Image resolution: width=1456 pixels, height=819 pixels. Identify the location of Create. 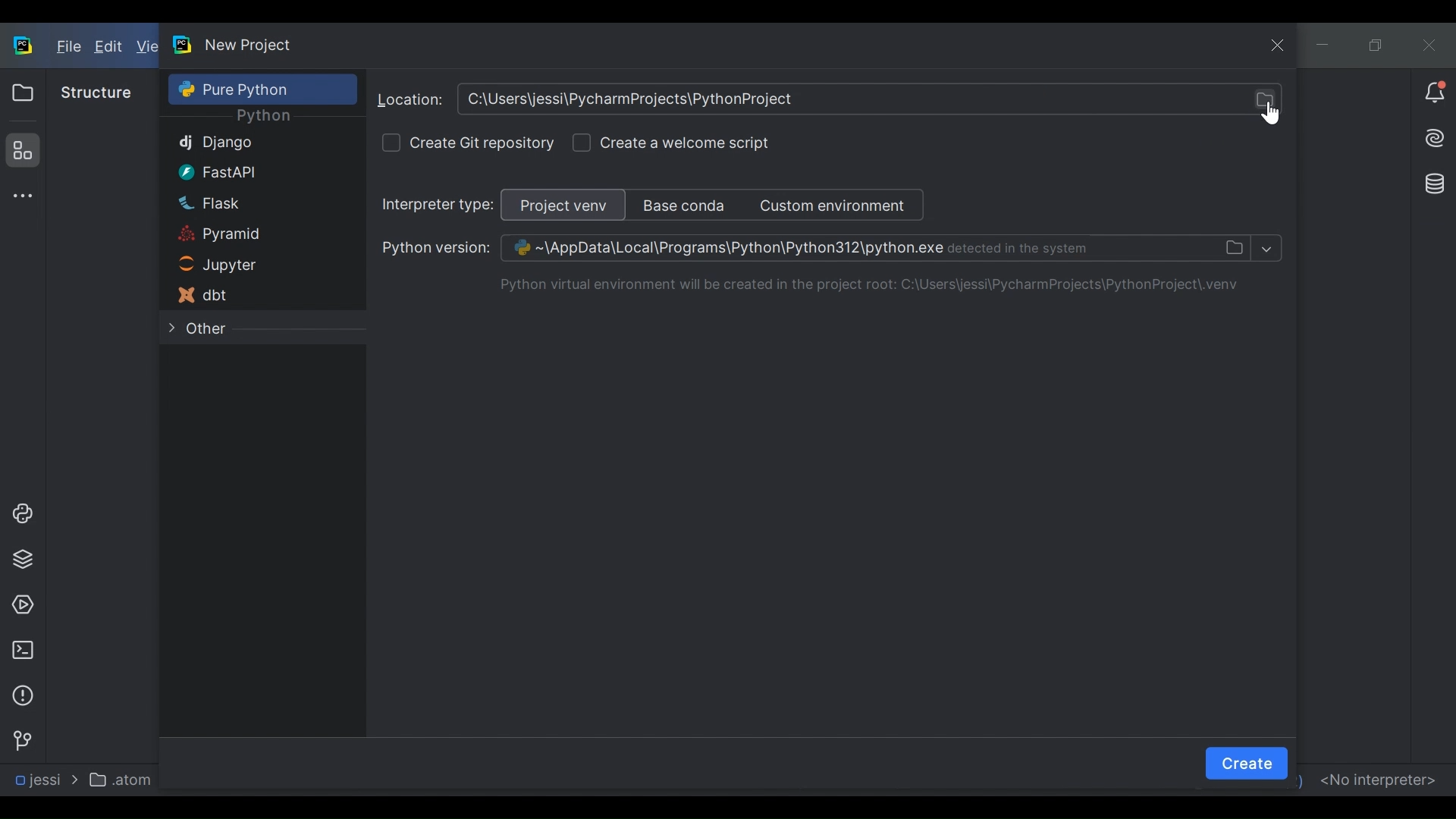
(1247, 763).